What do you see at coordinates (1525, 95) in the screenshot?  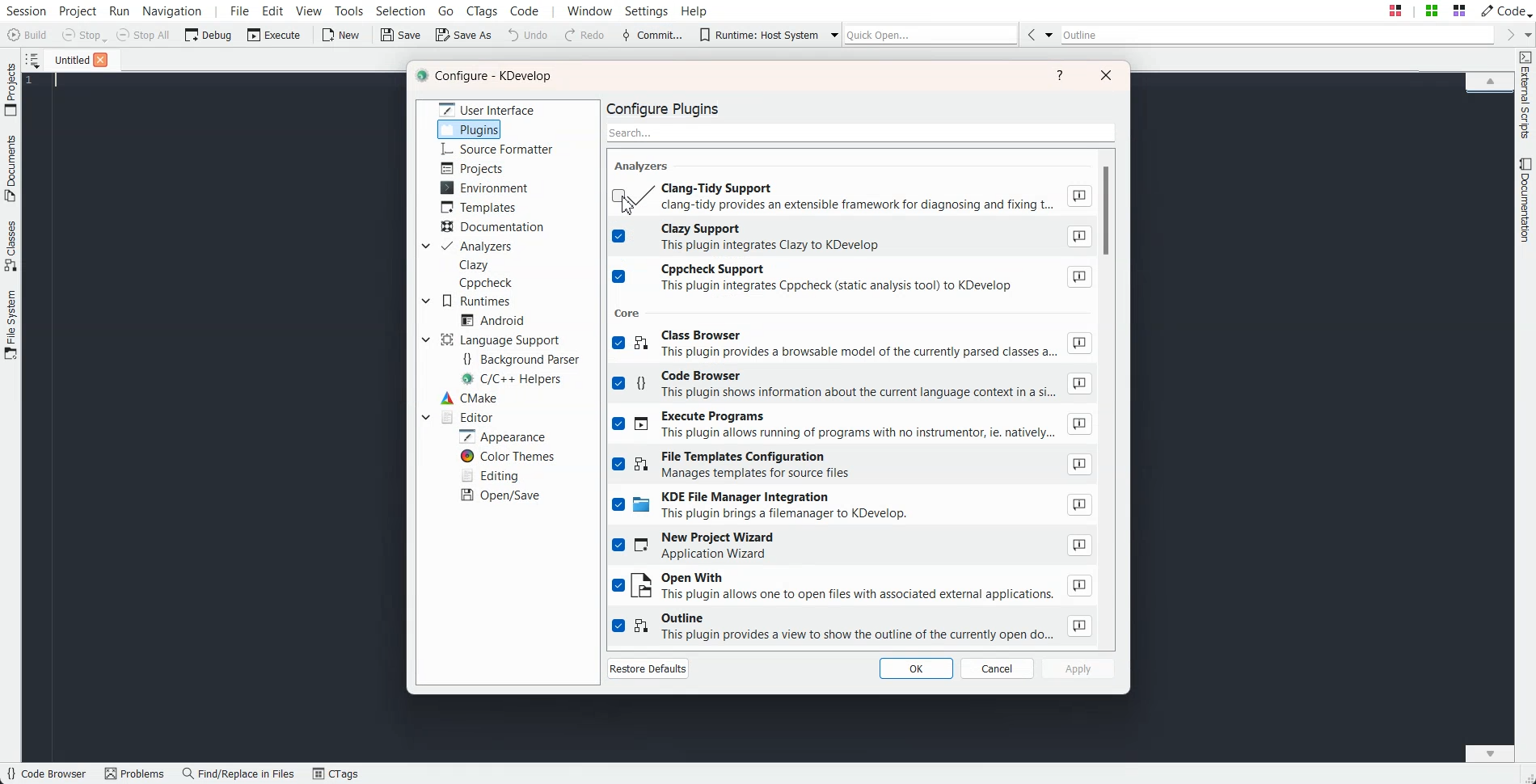 I see `External Scripts` at bounding box center [1525, 95].